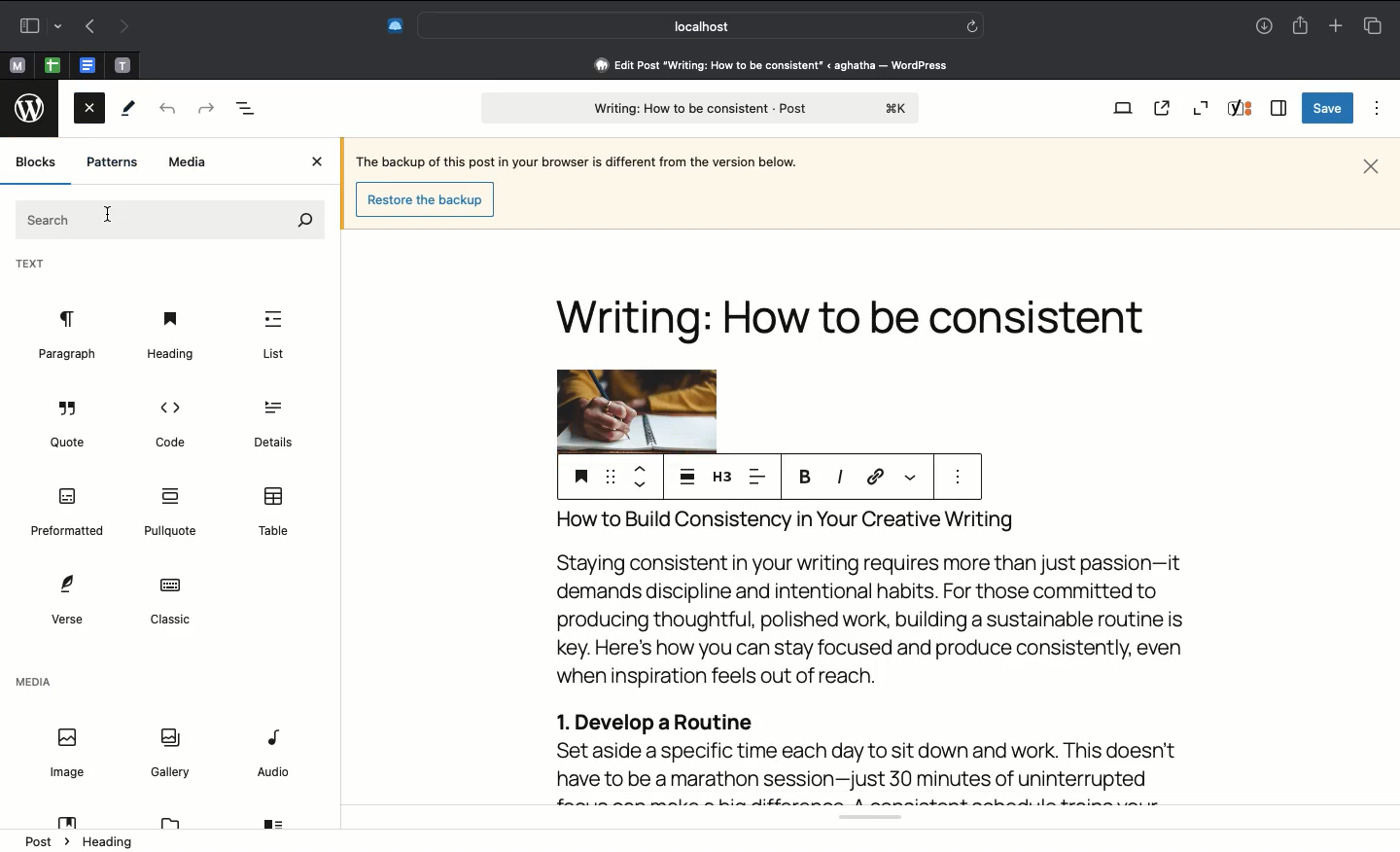 The width and height of the screenshot is (1400, 852). Describe the element at coordinates (87, 28) in the screenshot. I see `Previous page` at that location.